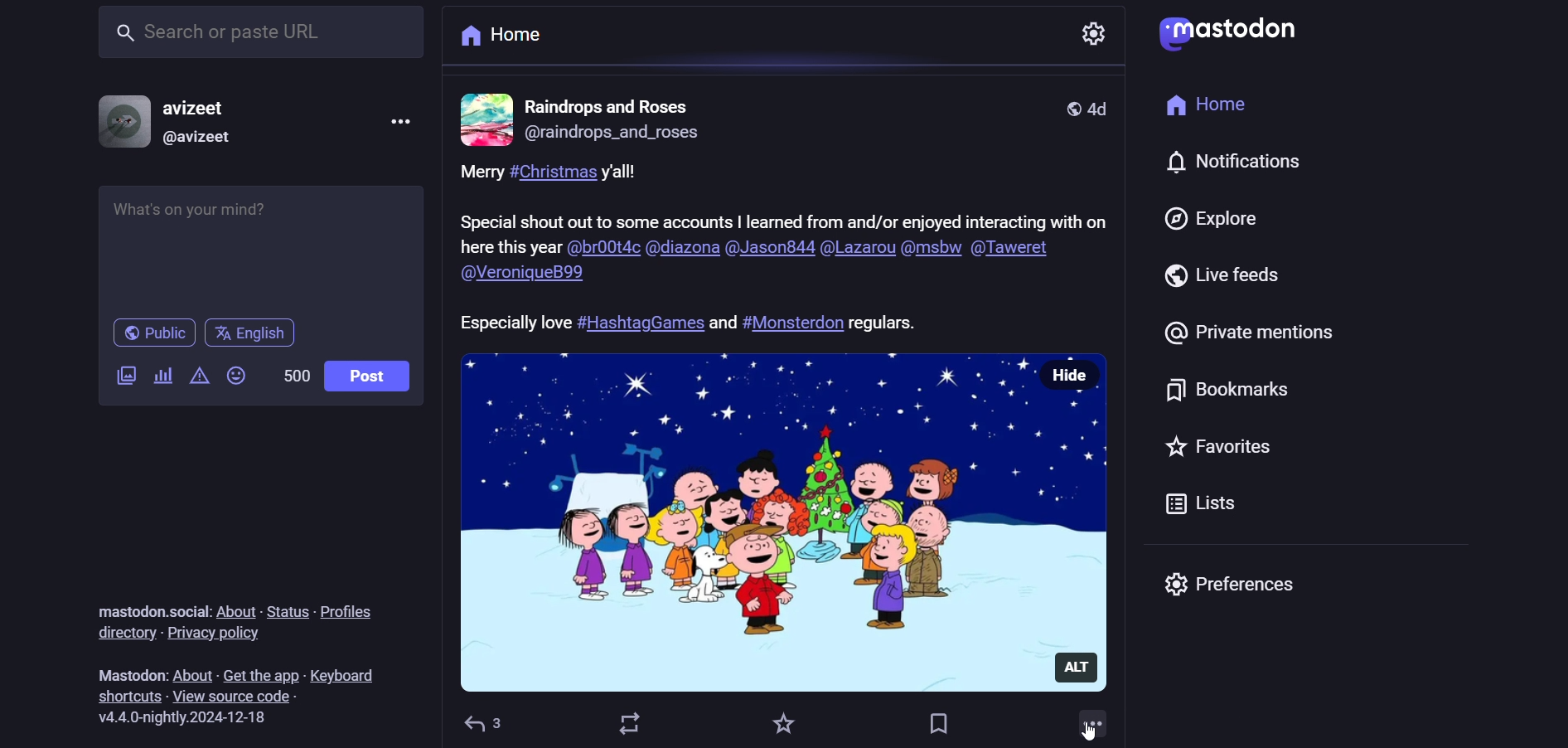 The width and height of the screenshot is (1568, 748). What do you see at coordinates (768, 251) in the screenshot?
I see `@jason844` at bounding box center [768, 251].